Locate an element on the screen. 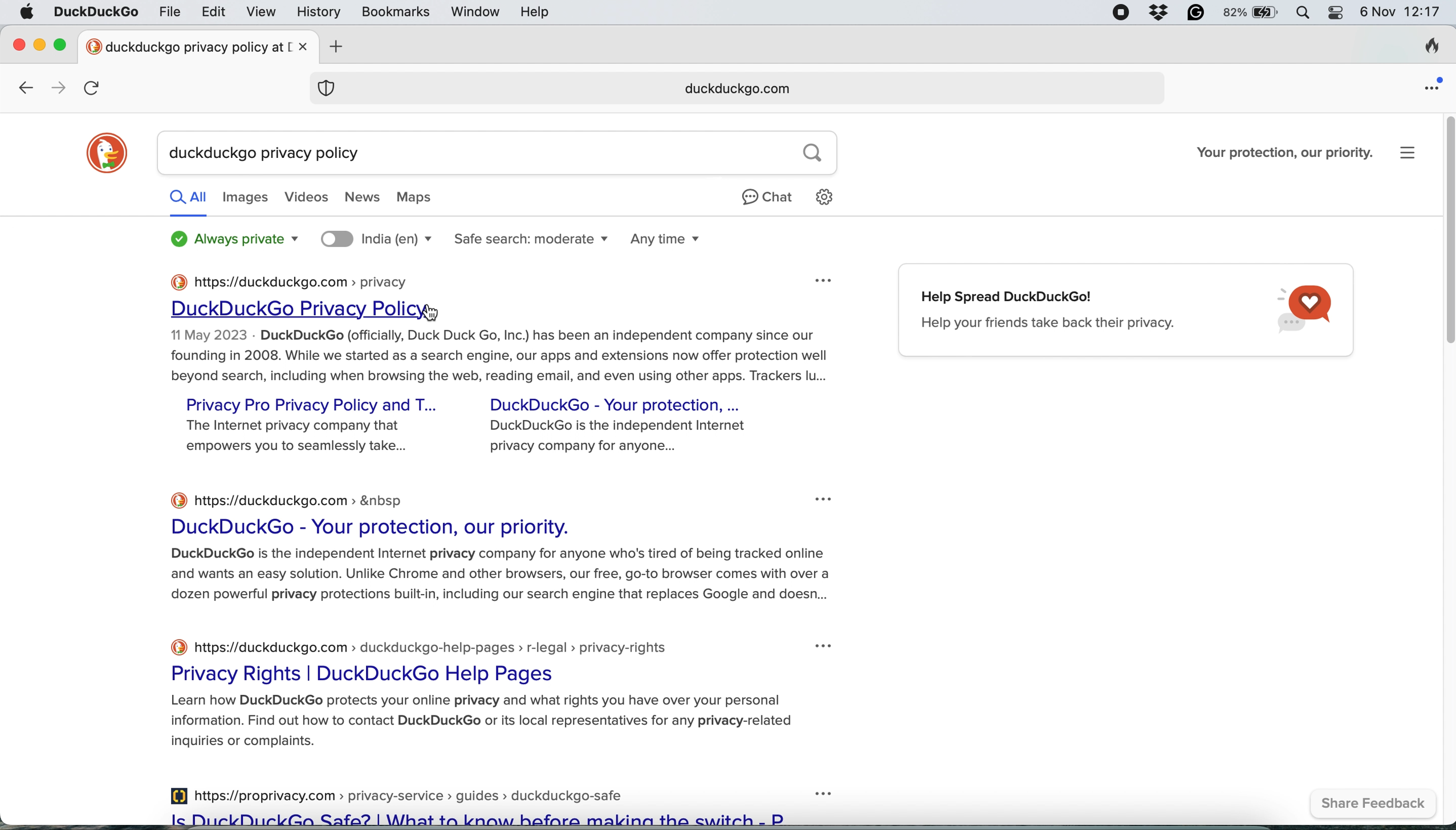  privacy pro privacy policy is located at coordinates (310, 405).